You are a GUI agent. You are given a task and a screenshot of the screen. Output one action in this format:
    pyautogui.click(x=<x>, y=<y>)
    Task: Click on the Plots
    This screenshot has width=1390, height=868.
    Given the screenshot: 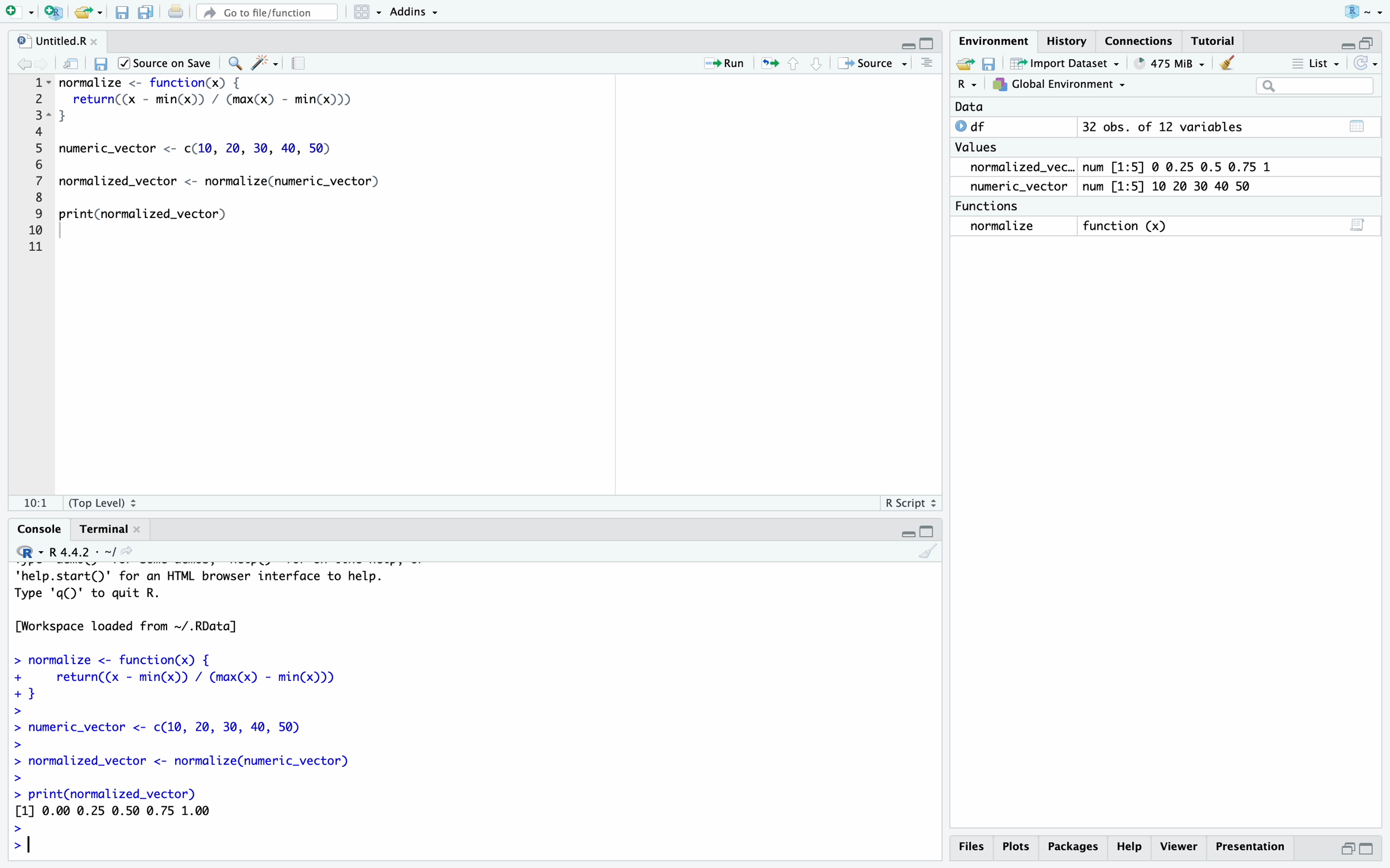 What is the action you would take?
    pyautogui.click(x=1019, y=846)
    